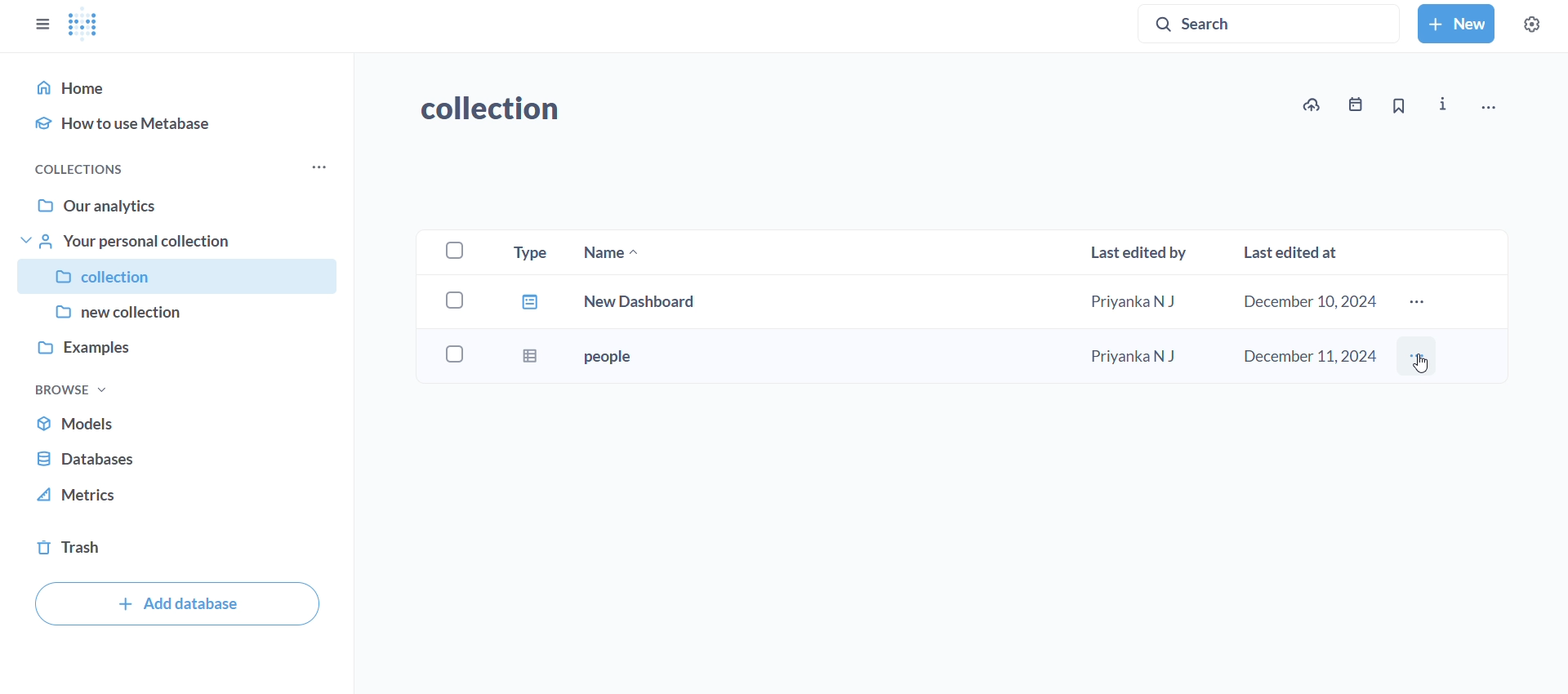 This screenshot has width=1568, height=694. Describe the element at coordinates (501, 112) in the screenshot. I see `collection` at that location.